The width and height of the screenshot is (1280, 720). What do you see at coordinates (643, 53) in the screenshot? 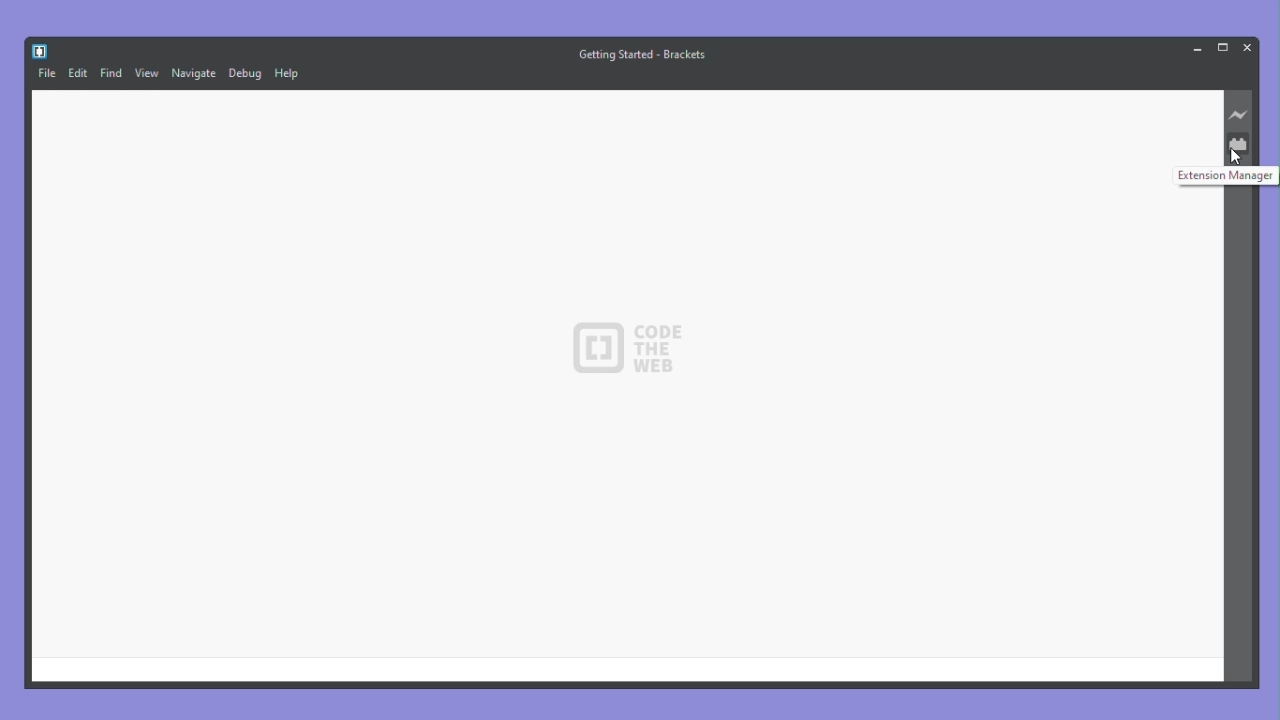
I see `Text: getting started : brackets` at bounding box center [643, 53].